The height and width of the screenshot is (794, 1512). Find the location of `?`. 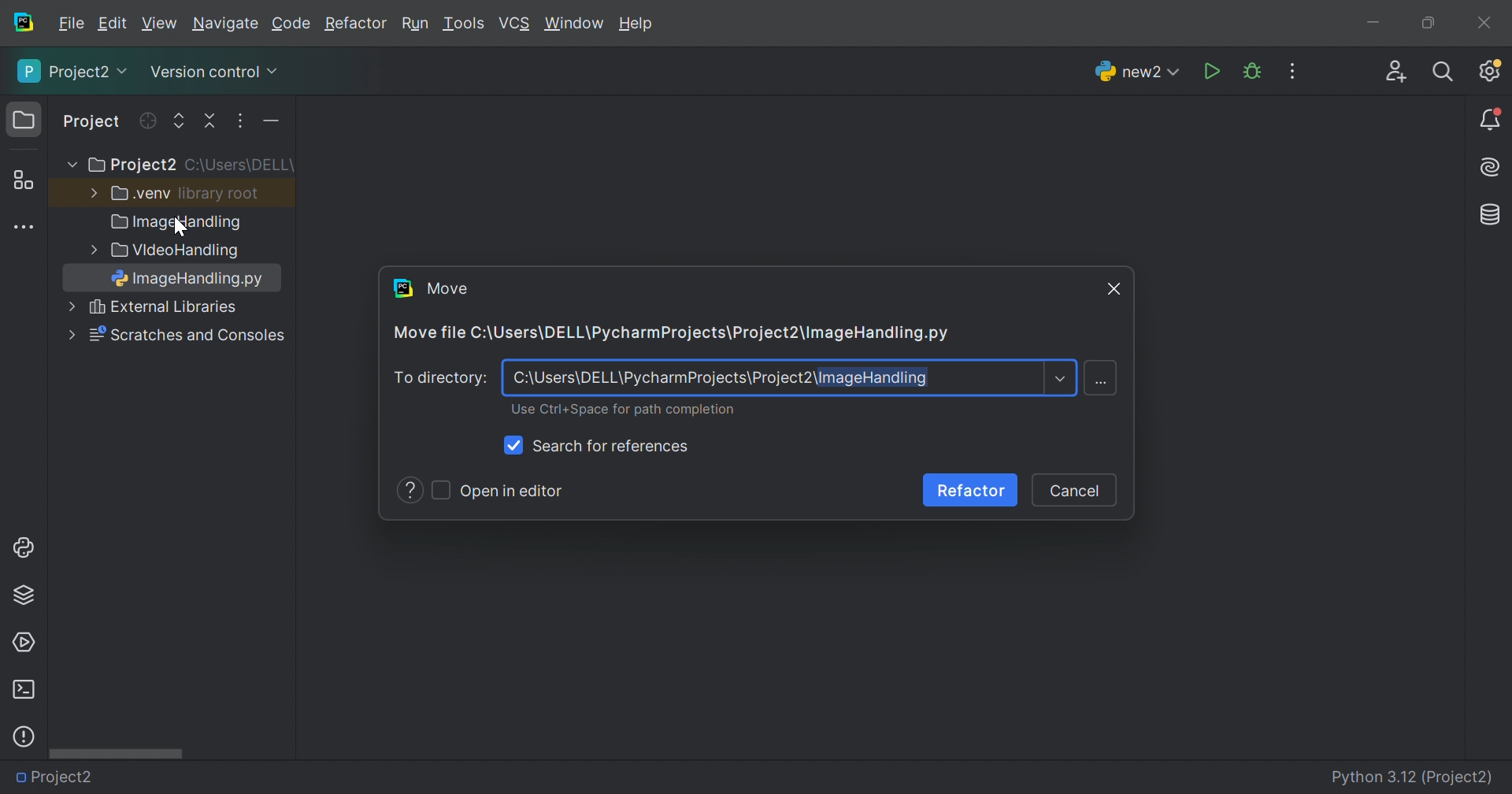

? is located at coordinates (409, 490).